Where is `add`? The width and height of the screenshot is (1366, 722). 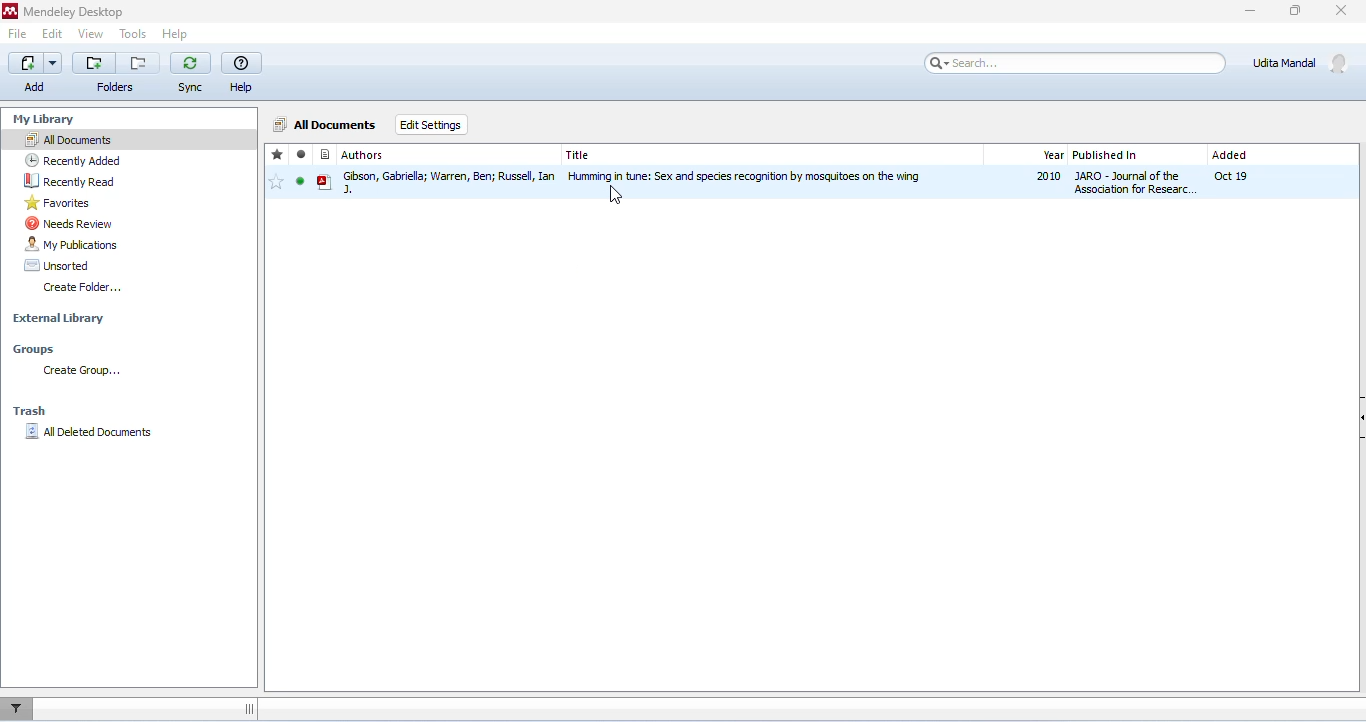 add is located at coordinates (34, 73).